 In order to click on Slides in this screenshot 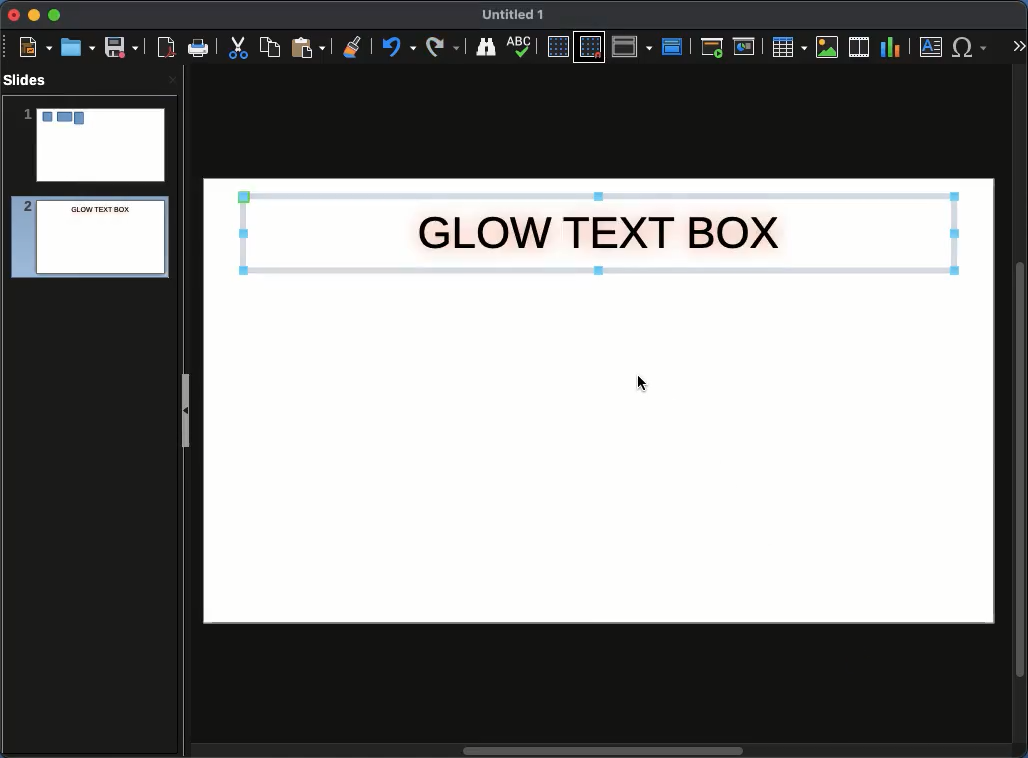, I will do `click(31, 80)`.